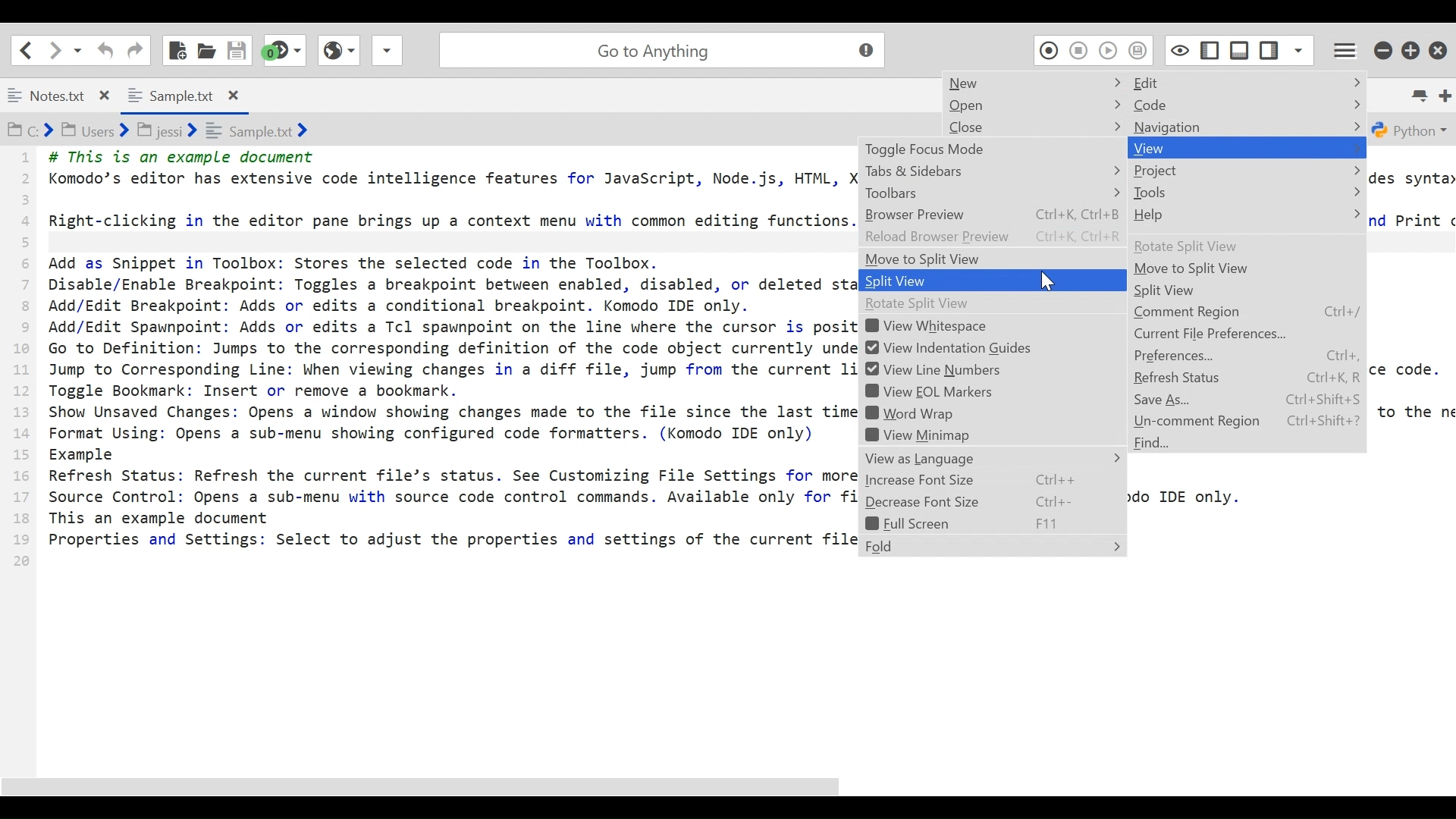  I want to click on Refresh Status Ctrl+K, R, so click(1246, 378).